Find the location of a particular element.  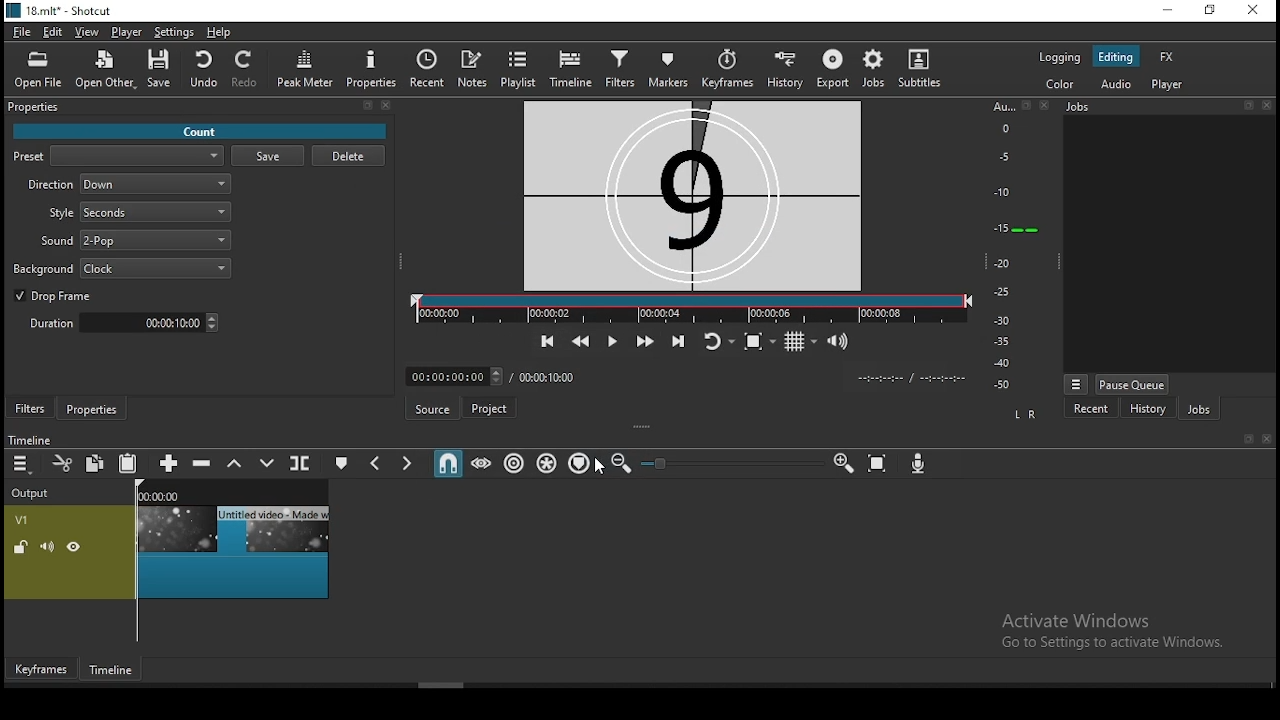

help is located at coordinates (222, 32).